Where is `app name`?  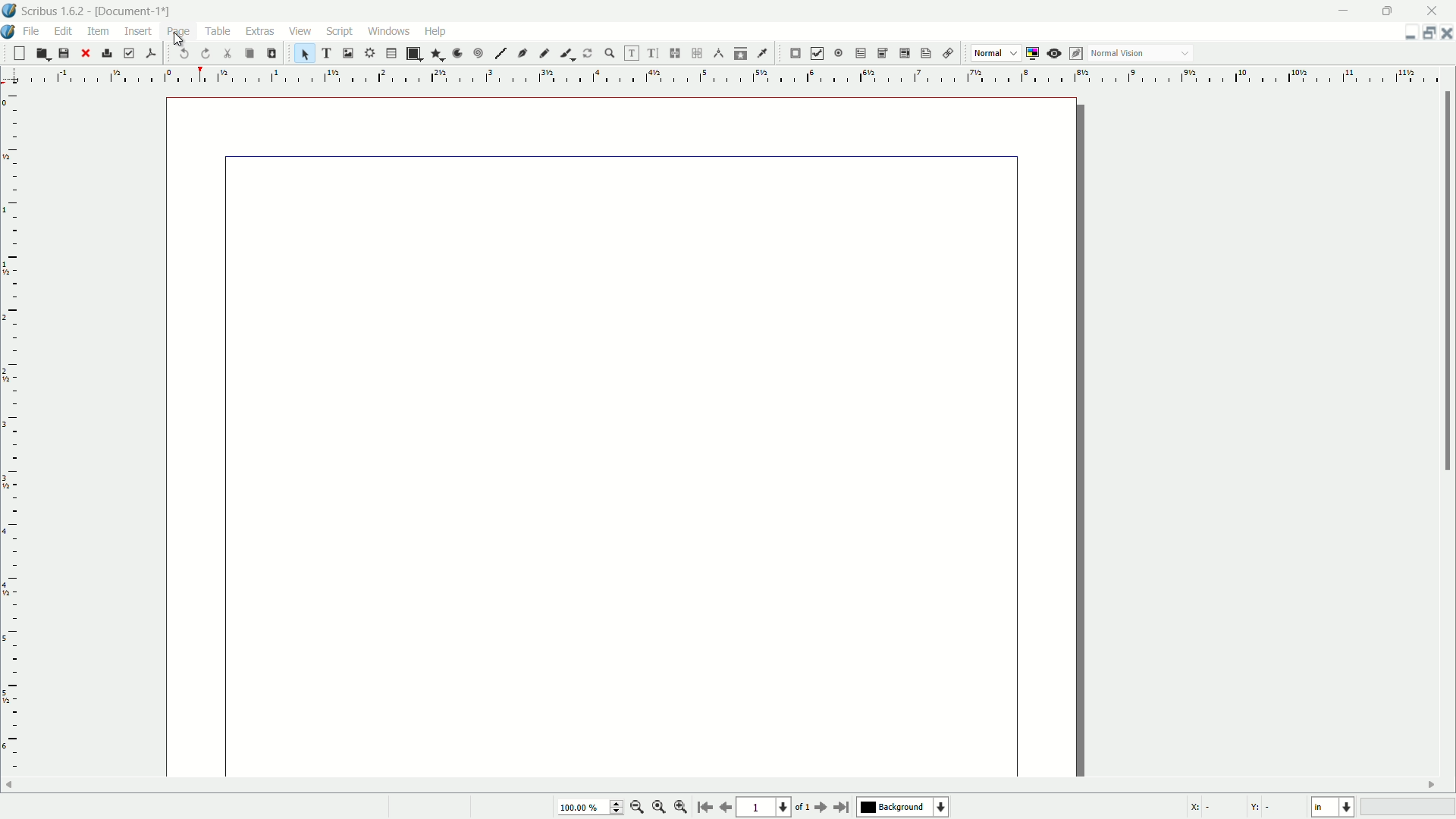
app name is located at coordinates (53, 12).